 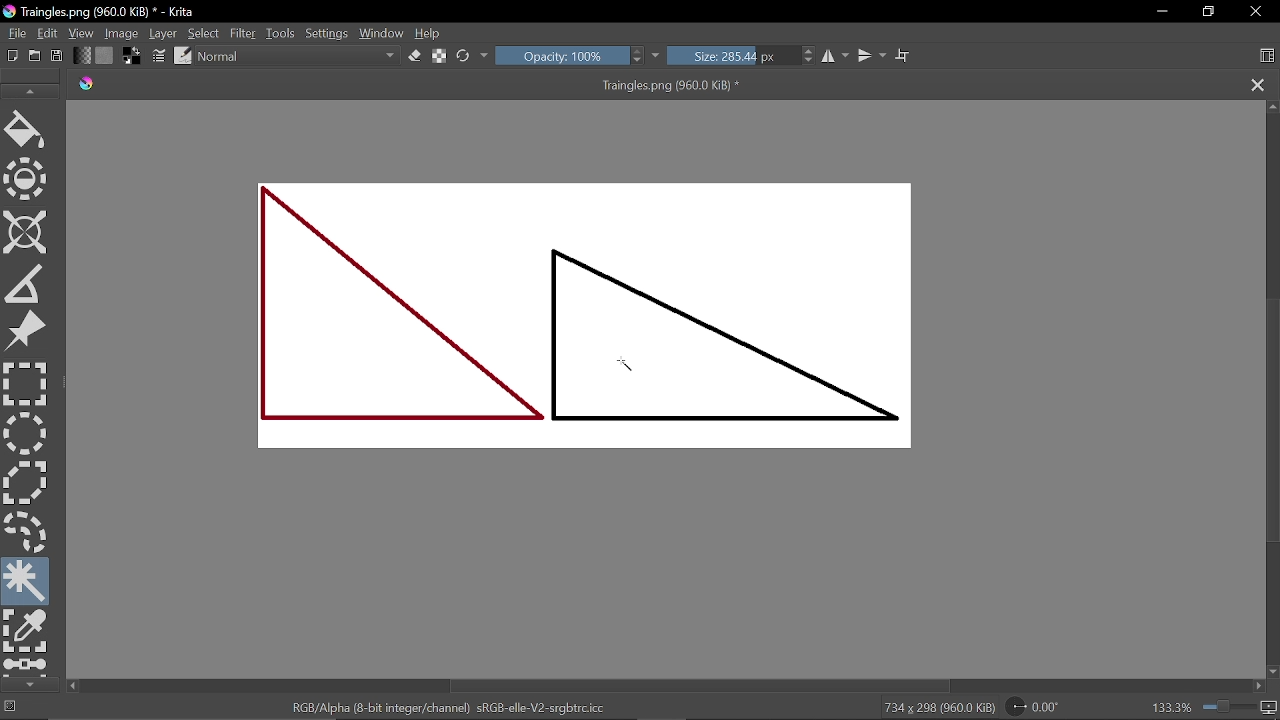 What do you see at coordinates (184, 56) in the screenshot?
I see `Choose brush preset` at bounding box center [184, 56].